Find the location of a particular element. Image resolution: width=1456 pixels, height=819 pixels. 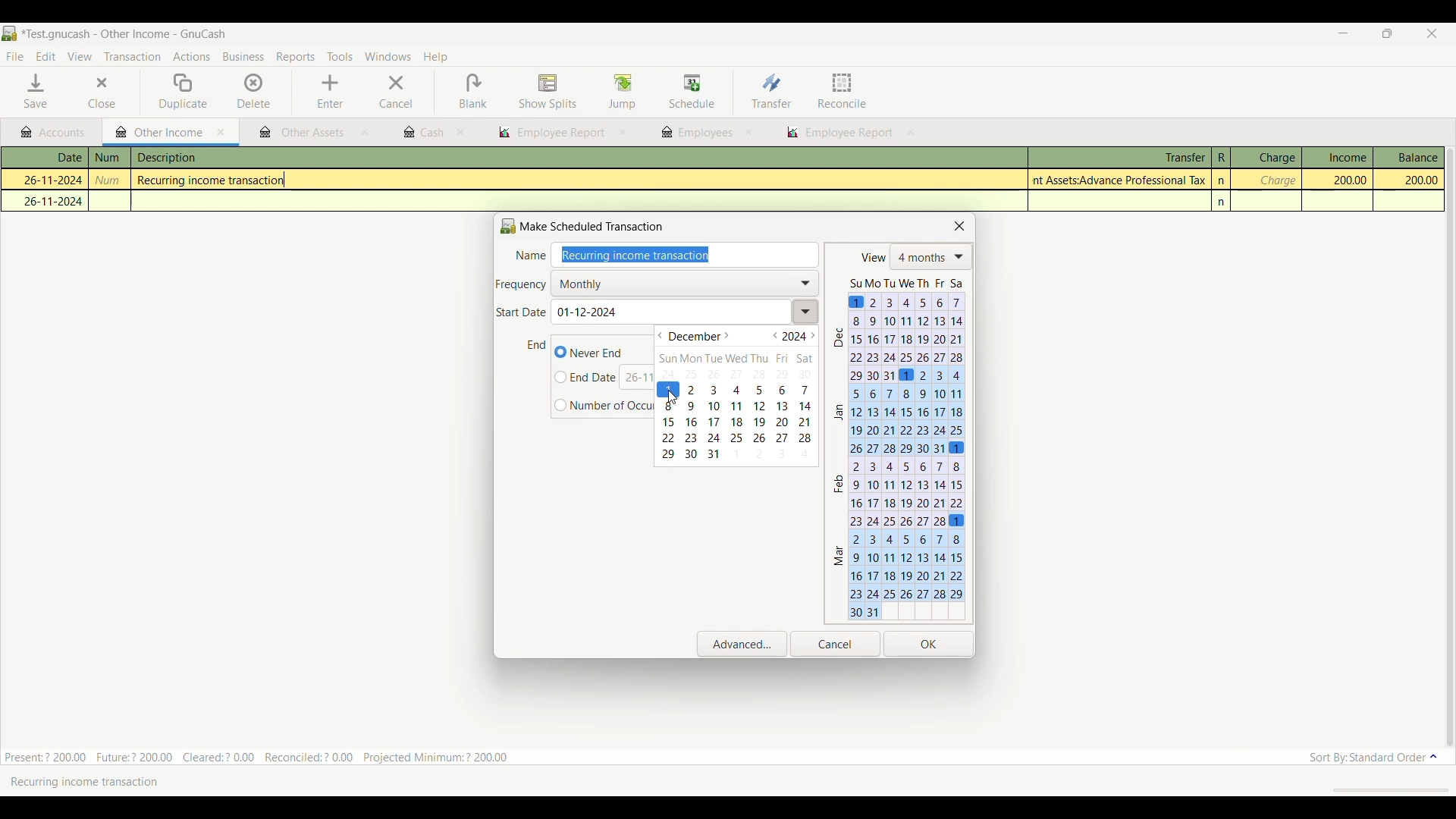

charge is located at coordinates (1276, 180).